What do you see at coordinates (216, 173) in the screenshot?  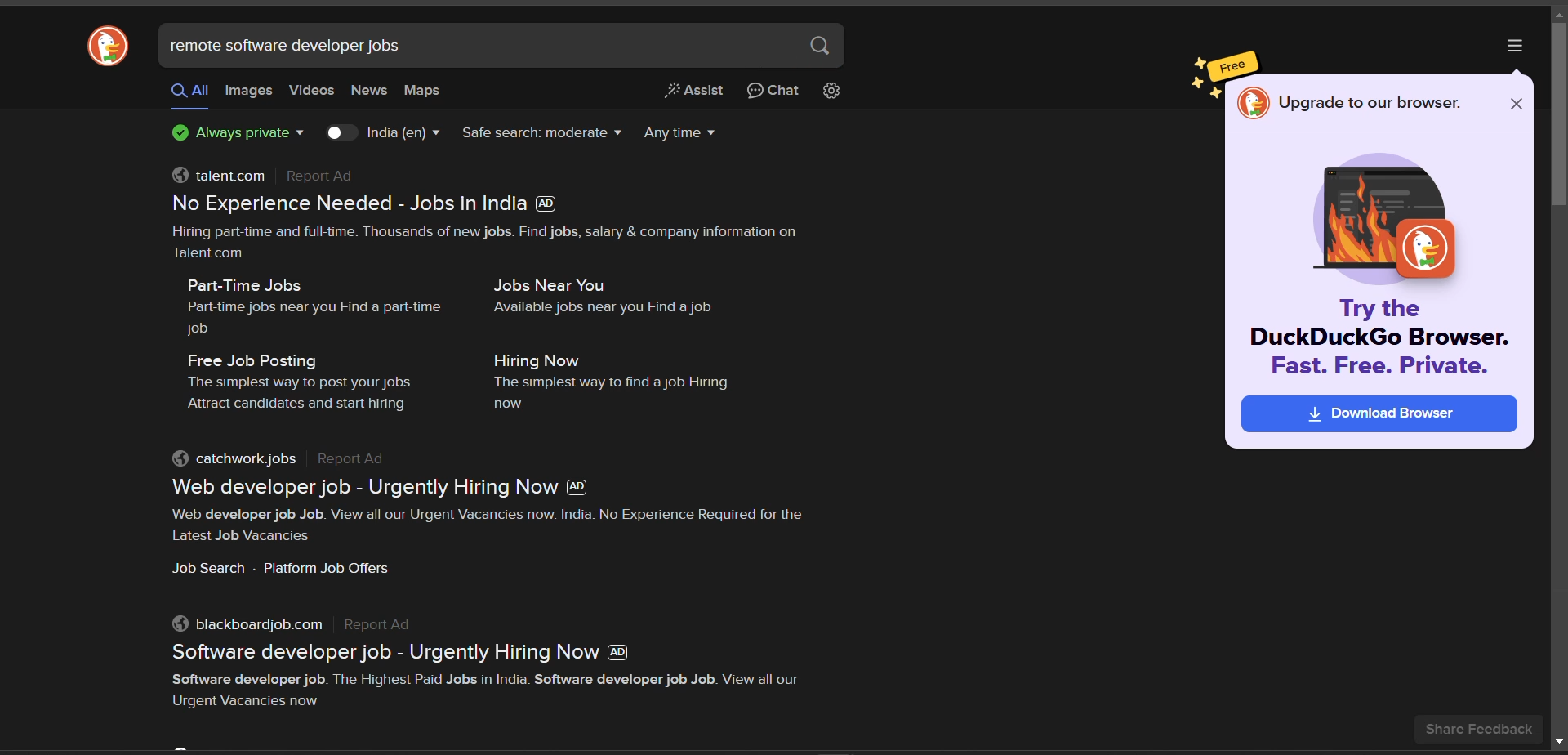 I see `talent.com` at bounding box center [216, 173].